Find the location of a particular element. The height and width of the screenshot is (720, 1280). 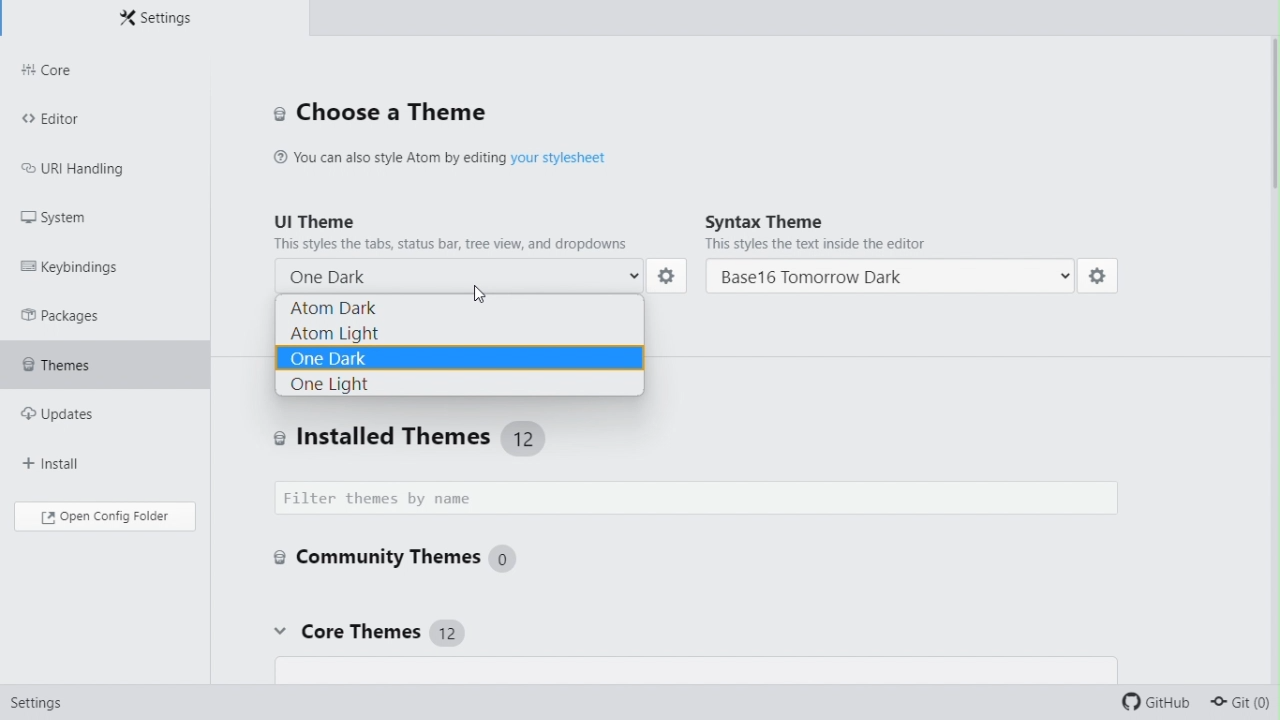

settings is located at coordinates (669, 277).